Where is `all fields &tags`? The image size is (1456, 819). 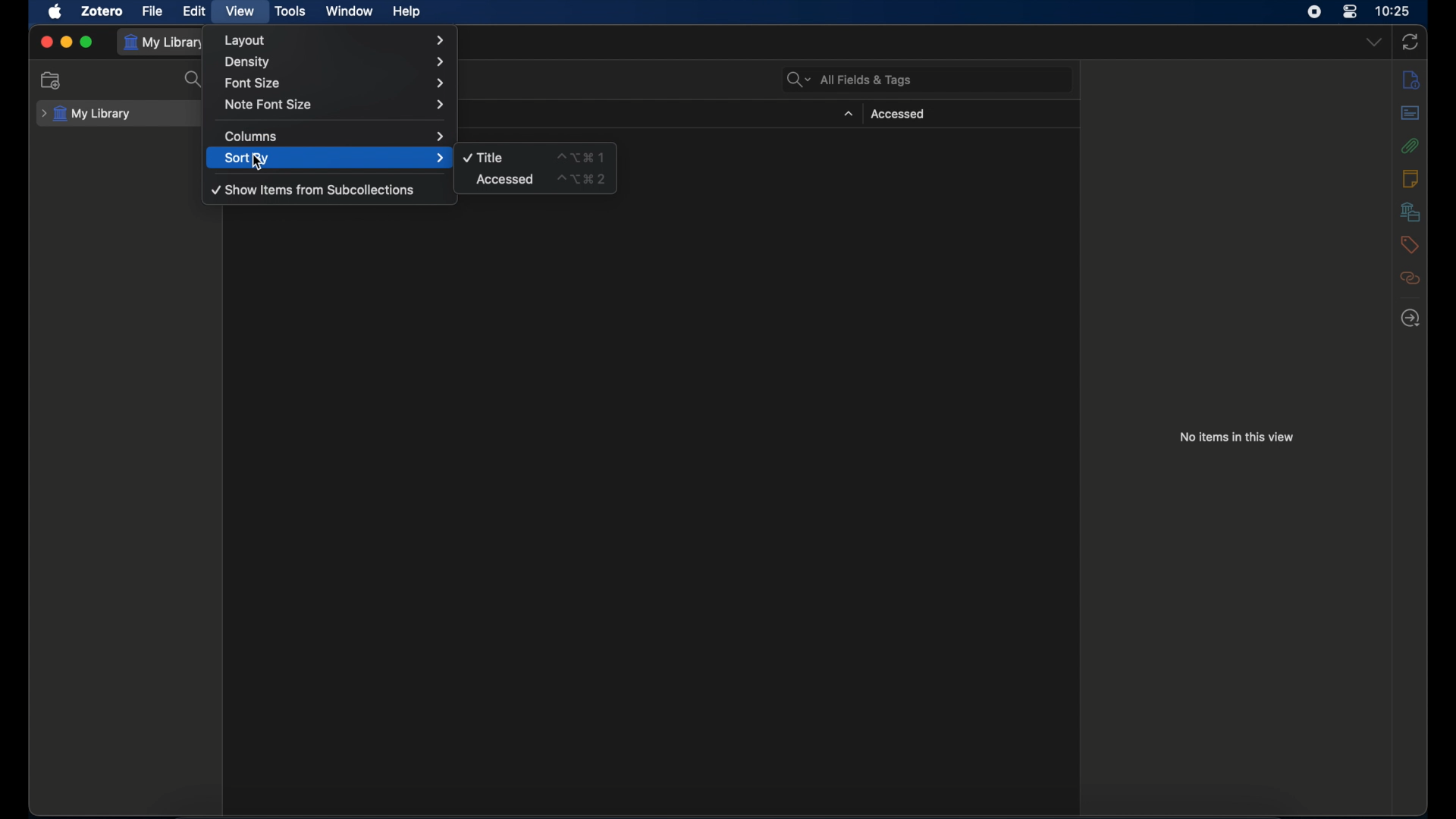
all fields &tags is located at coordinates (848, 80).